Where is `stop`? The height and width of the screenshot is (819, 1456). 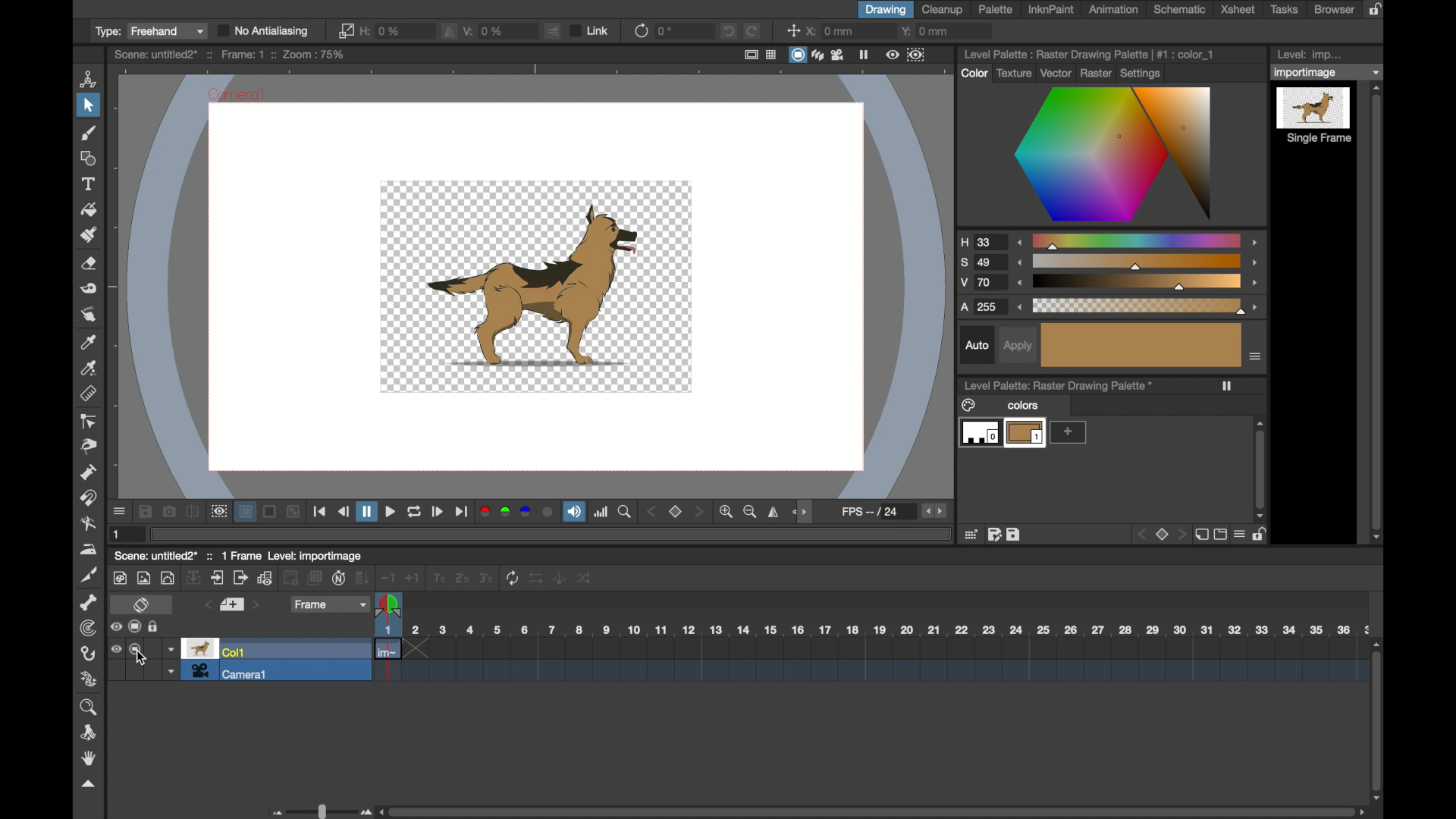 stop is located at coordinates (1159, 534).